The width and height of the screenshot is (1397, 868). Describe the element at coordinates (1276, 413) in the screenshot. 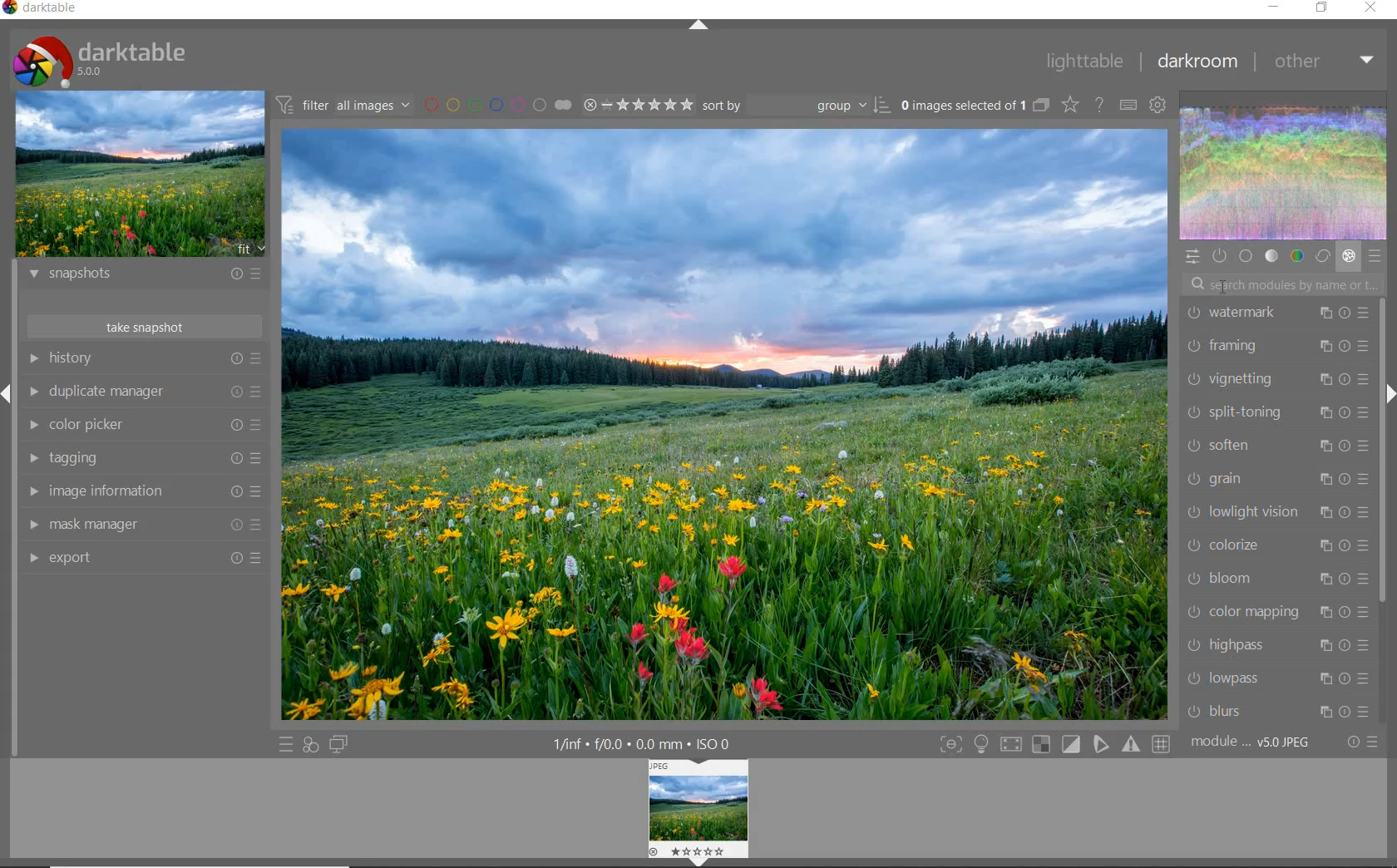

I see `split-toning` at that location.